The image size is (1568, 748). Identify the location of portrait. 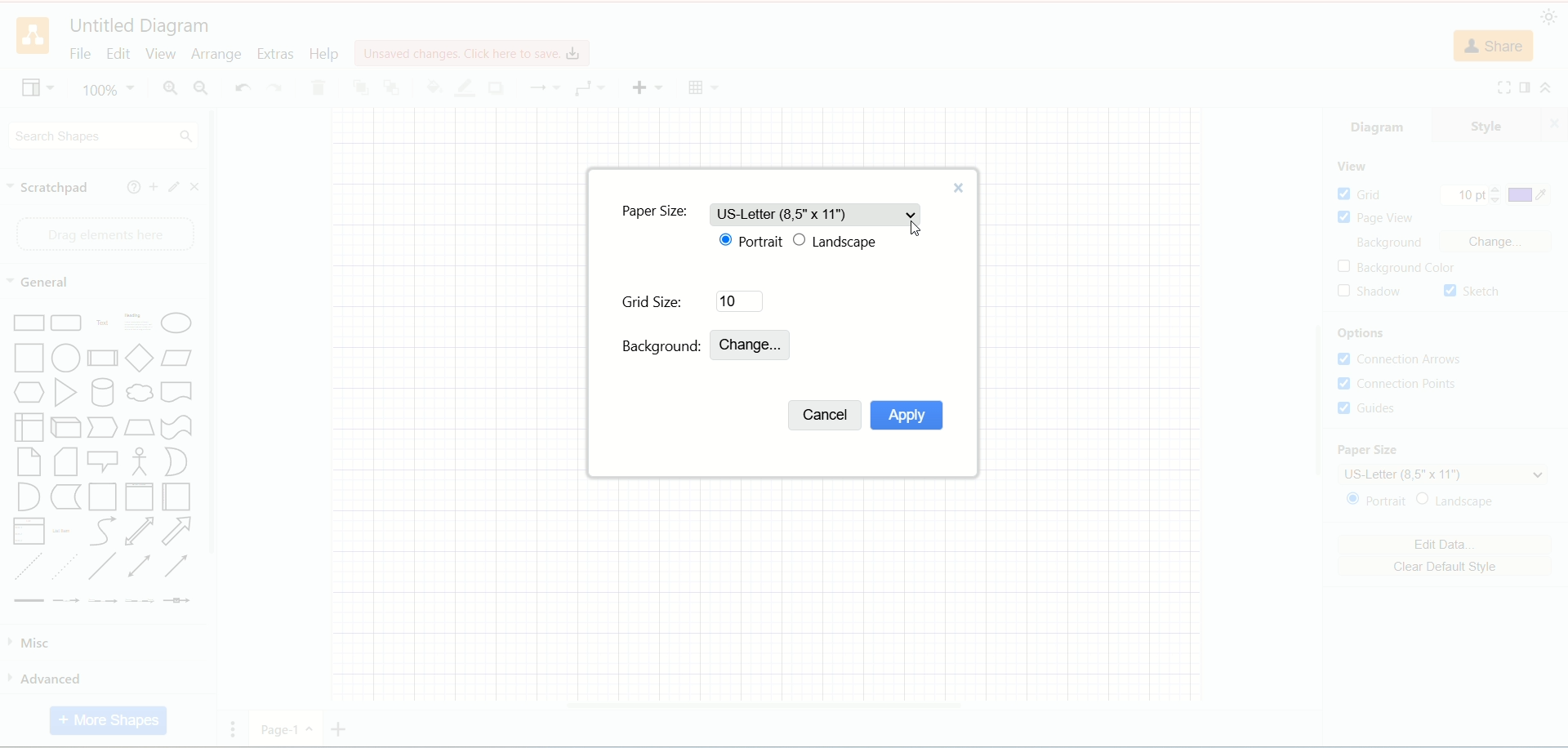
(1375, 502).